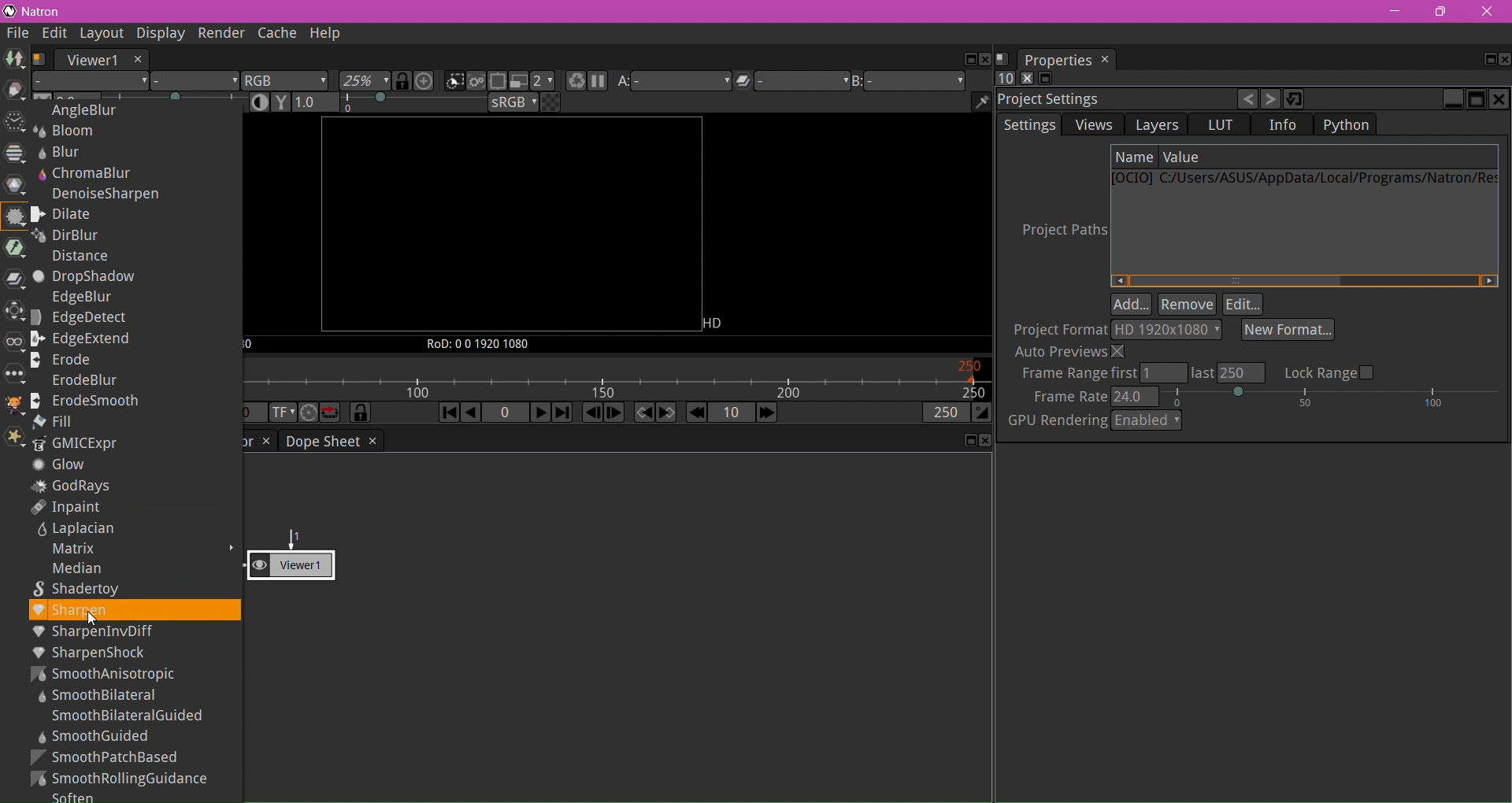 The width and height of the screenshot is (1512, 803). I want to click on Frame Increment, so click(730, 413).